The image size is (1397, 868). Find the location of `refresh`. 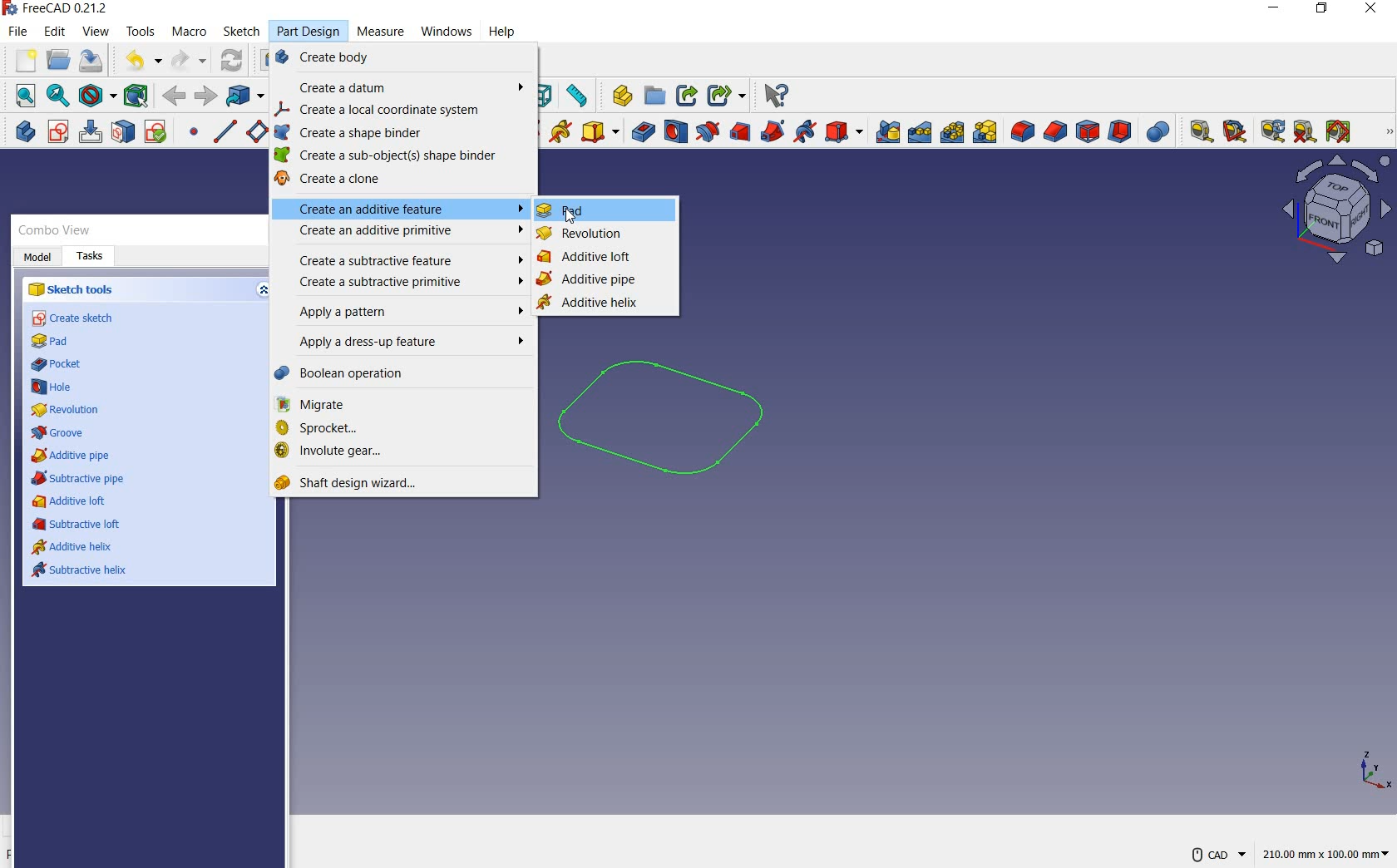

refresh is located at coordinates (232, 59).